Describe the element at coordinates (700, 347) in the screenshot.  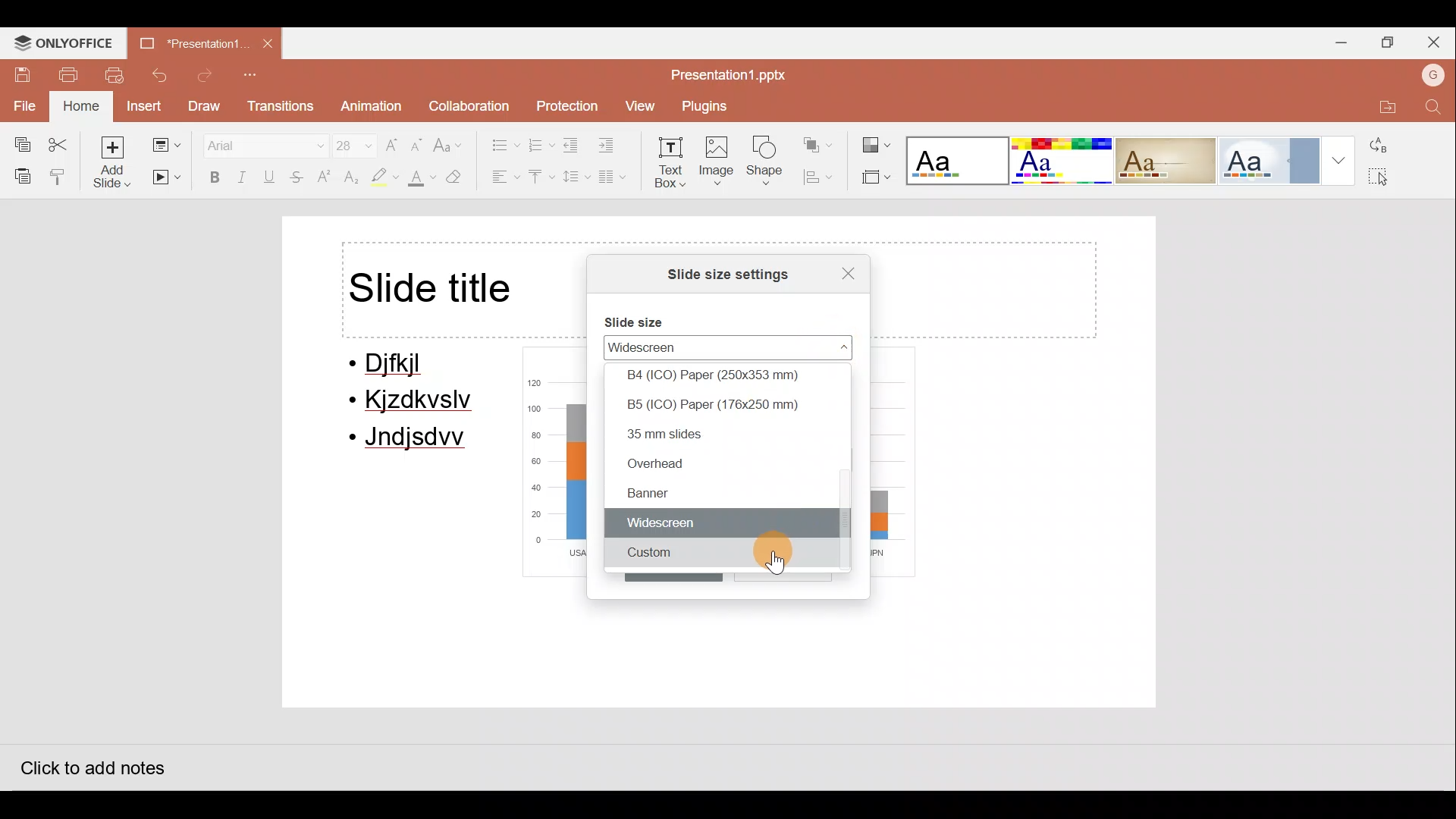
I see `Widescreen` at that location.